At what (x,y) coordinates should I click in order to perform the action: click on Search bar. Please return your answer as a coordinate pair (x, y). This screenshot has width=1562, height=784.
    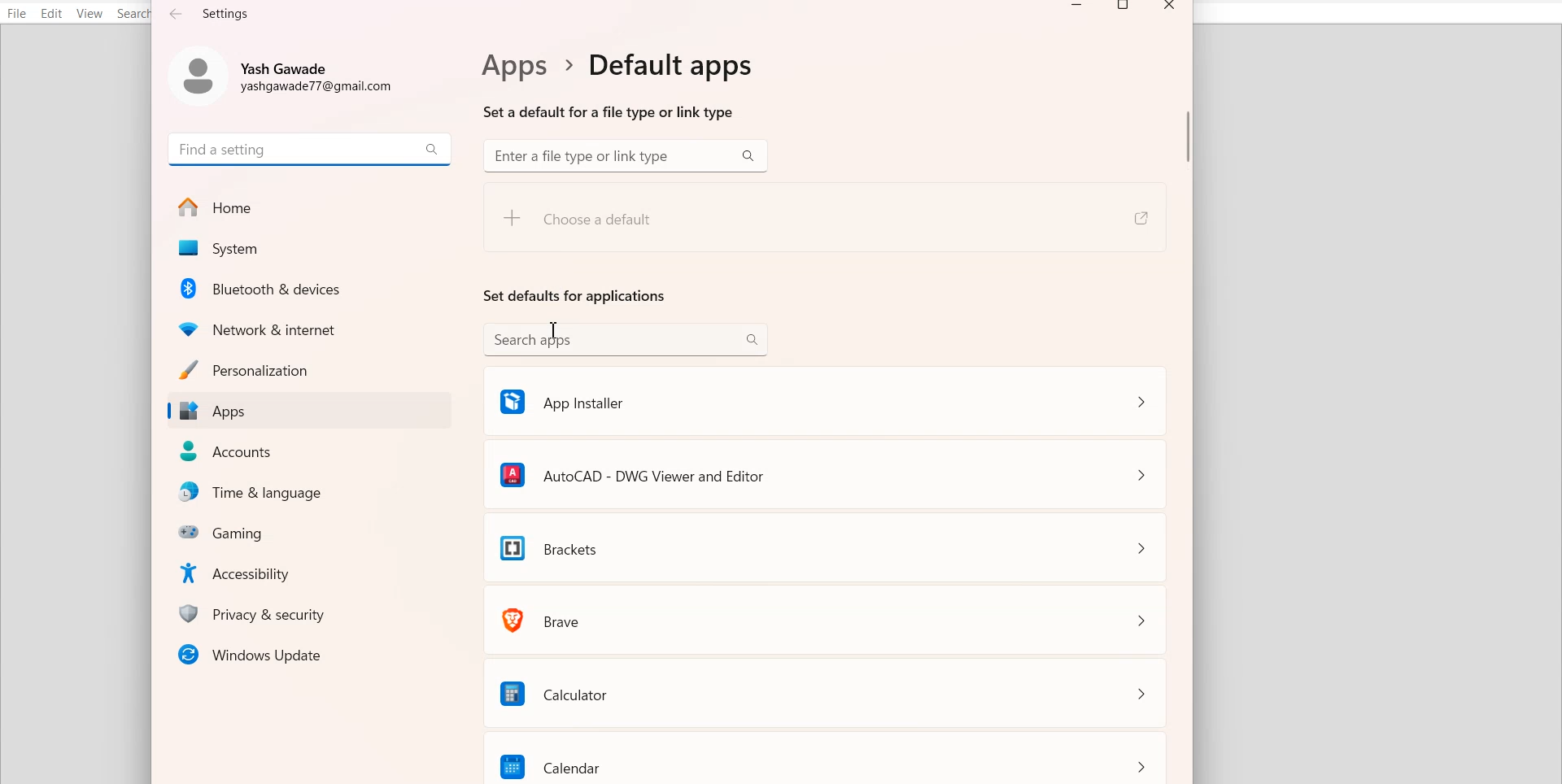
    Looking at the image, I should click on (310, 148).